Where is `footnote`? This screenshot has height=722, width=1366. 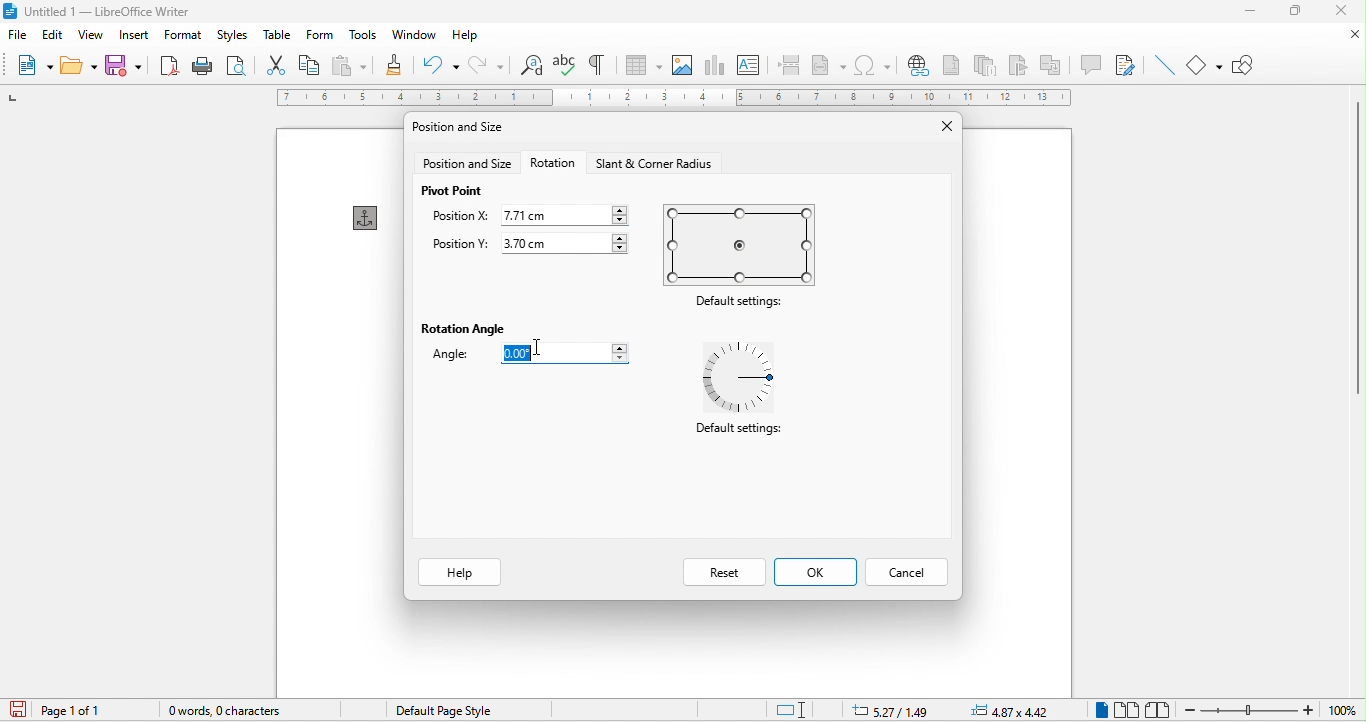
footnote is located at coordinates (950, 64).